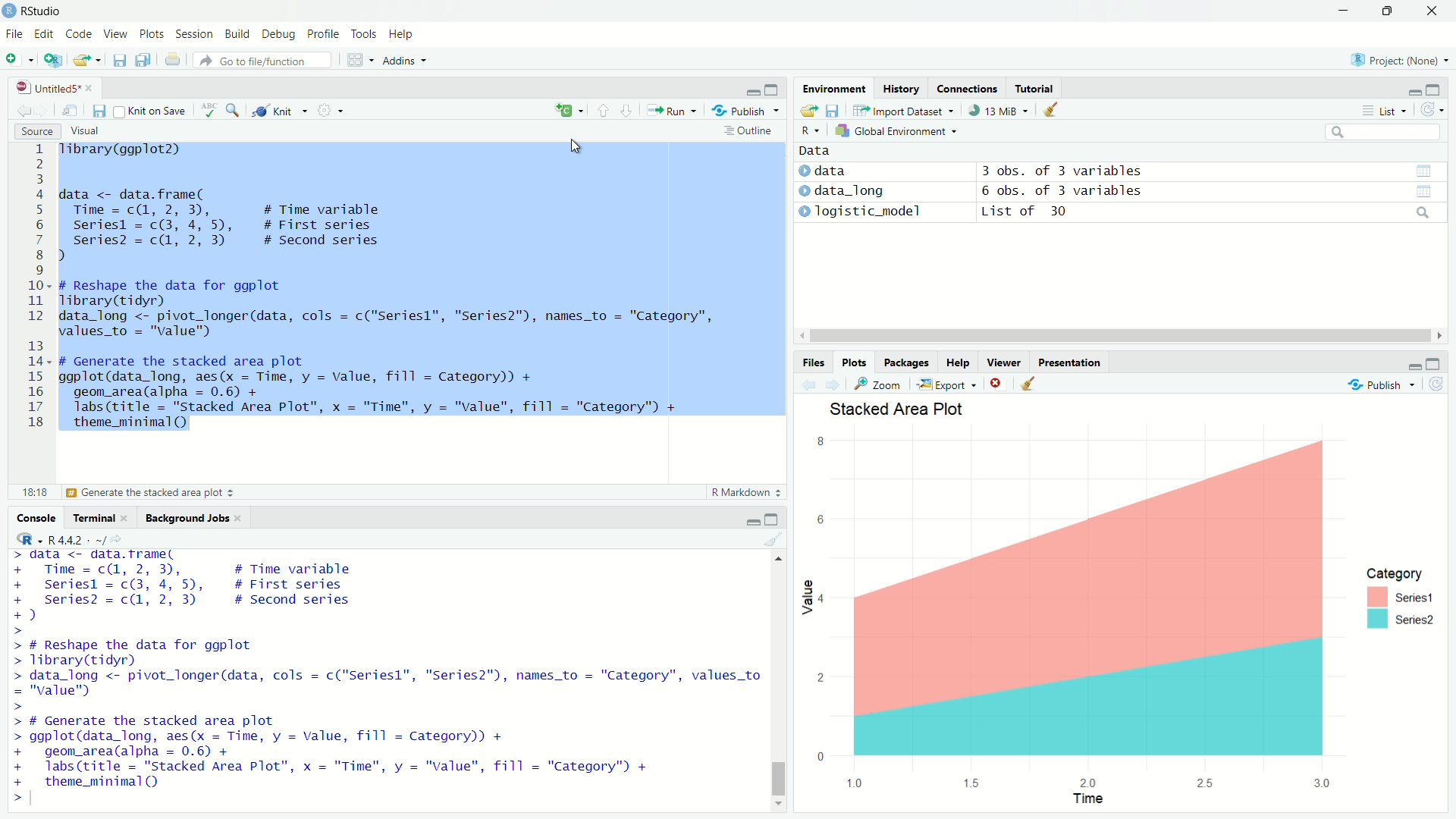 The width and height of the screenshot is (1456, 819). Describe the element at coordinates (273, 32) in the screenshot. I see `Debug` at that location.